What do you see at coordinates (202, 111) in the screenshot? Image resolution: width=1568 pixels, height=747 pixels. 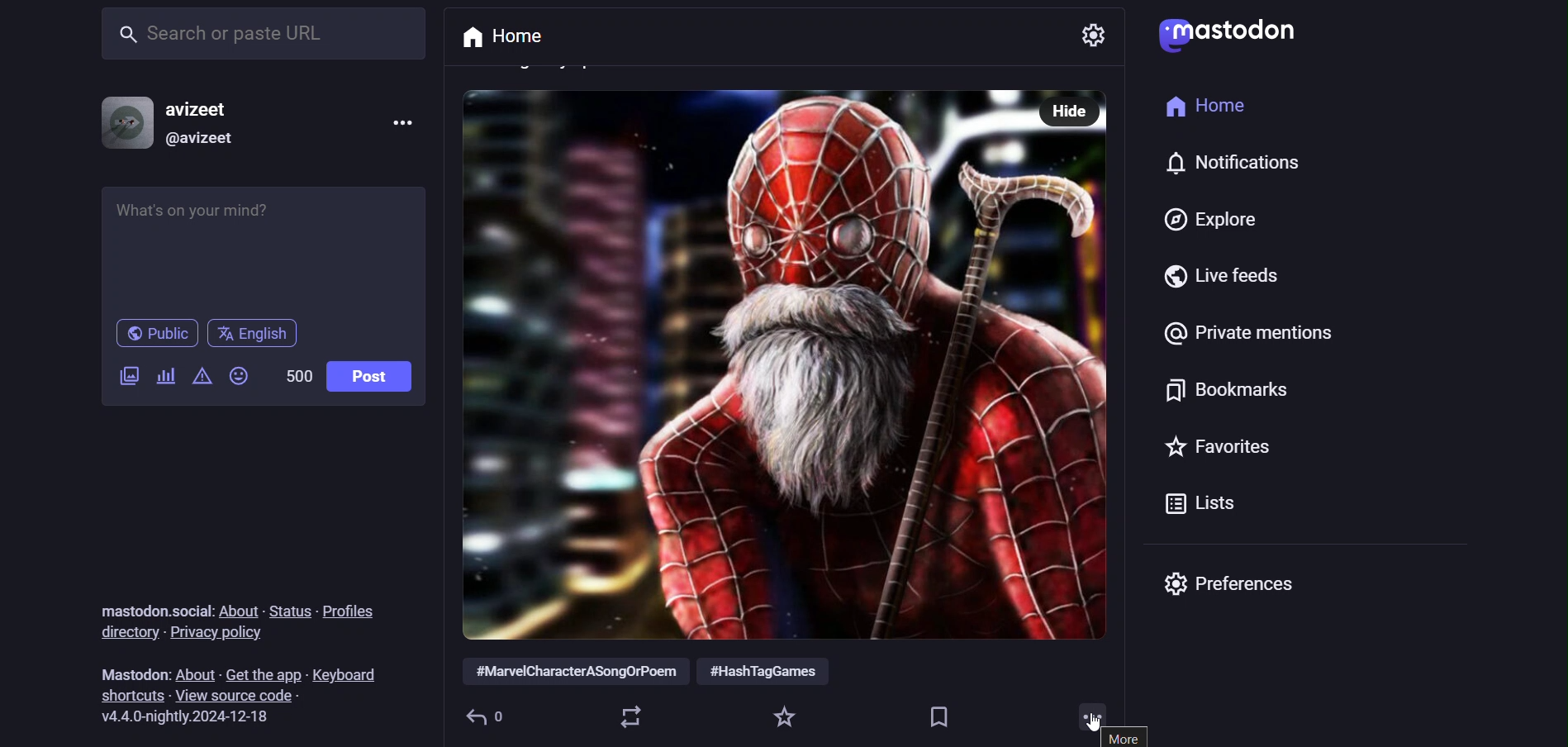 I see `avizeet` at bounding box center [202, 111].